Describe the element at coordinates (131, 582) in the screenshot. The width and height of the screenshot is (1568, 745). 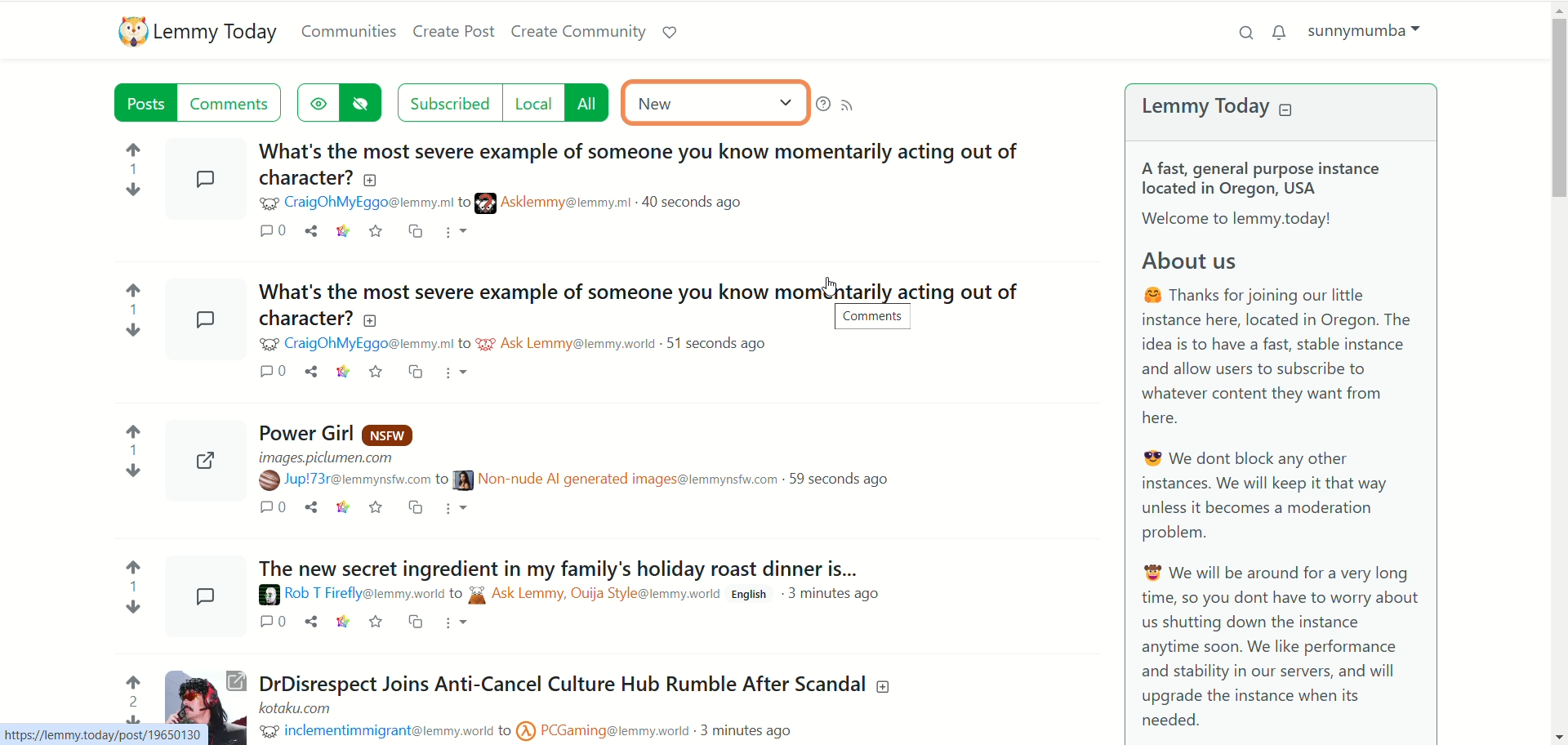
I see `vote` at that location.